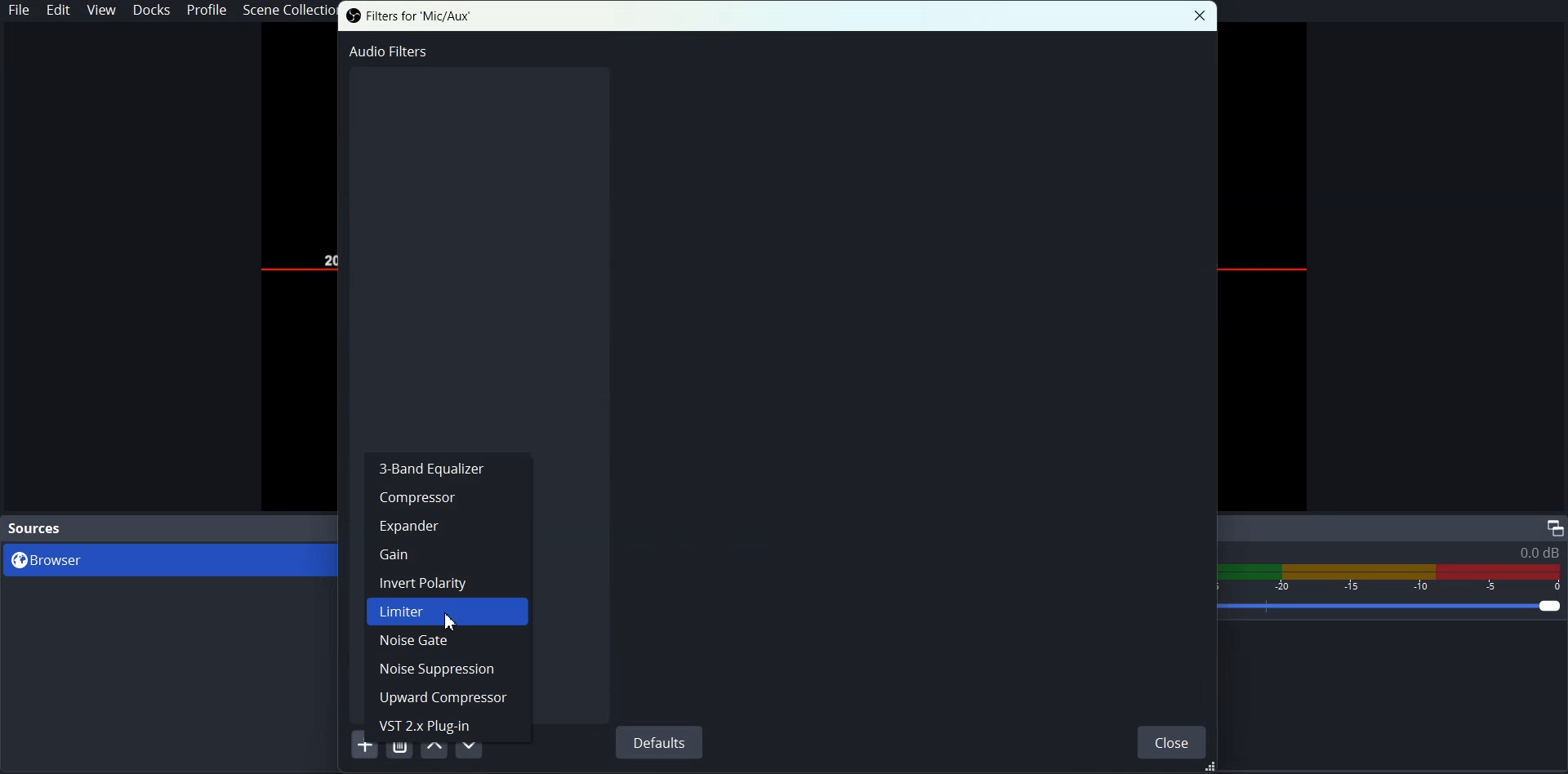 The image size is (1568, 774). Describe the element at coordinates (386, 51) in the screenshot. I see `Audio Filter` at that location.